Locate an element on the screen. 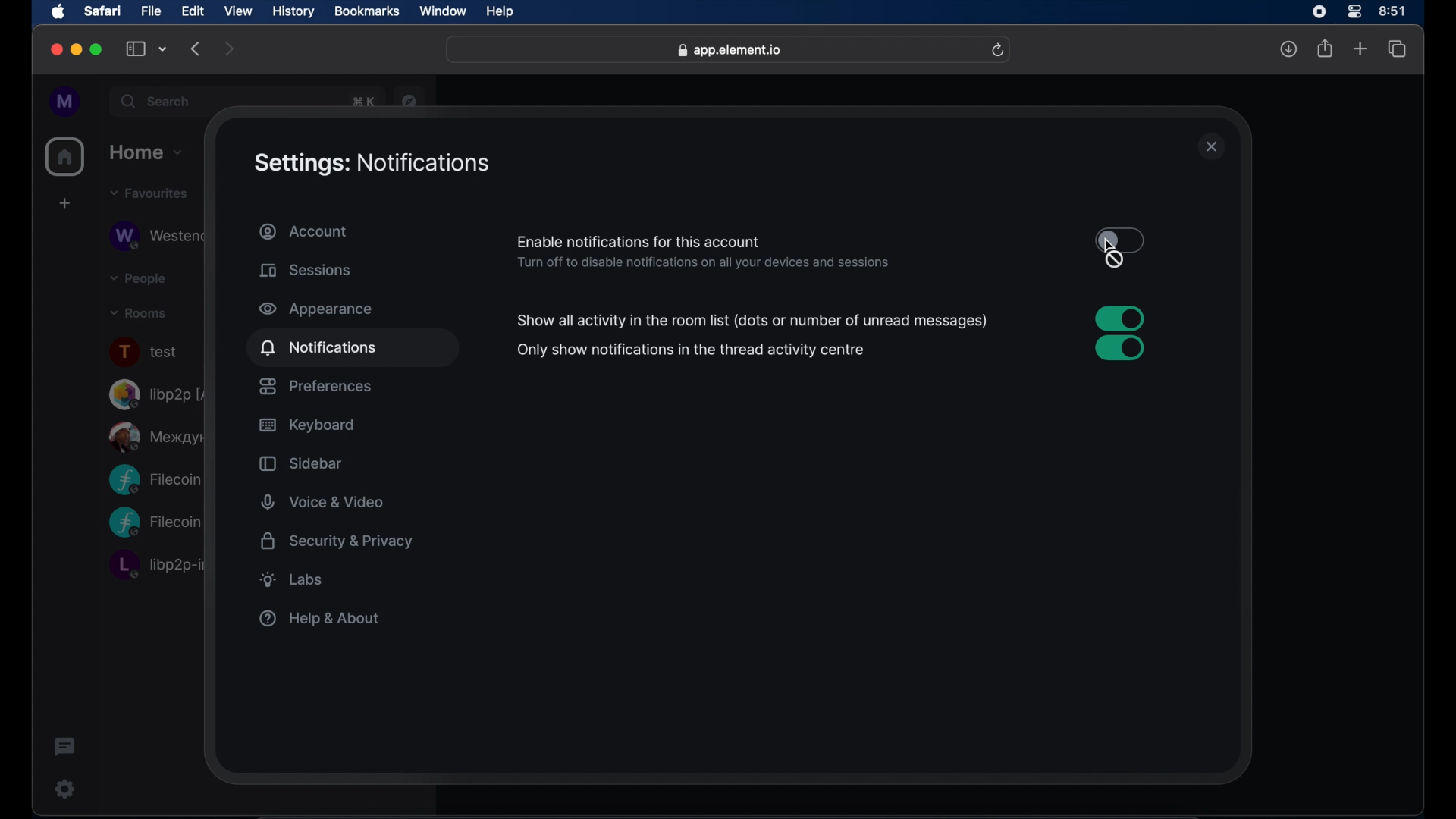  screen recorder icon is located at coordinates (1320, 12).